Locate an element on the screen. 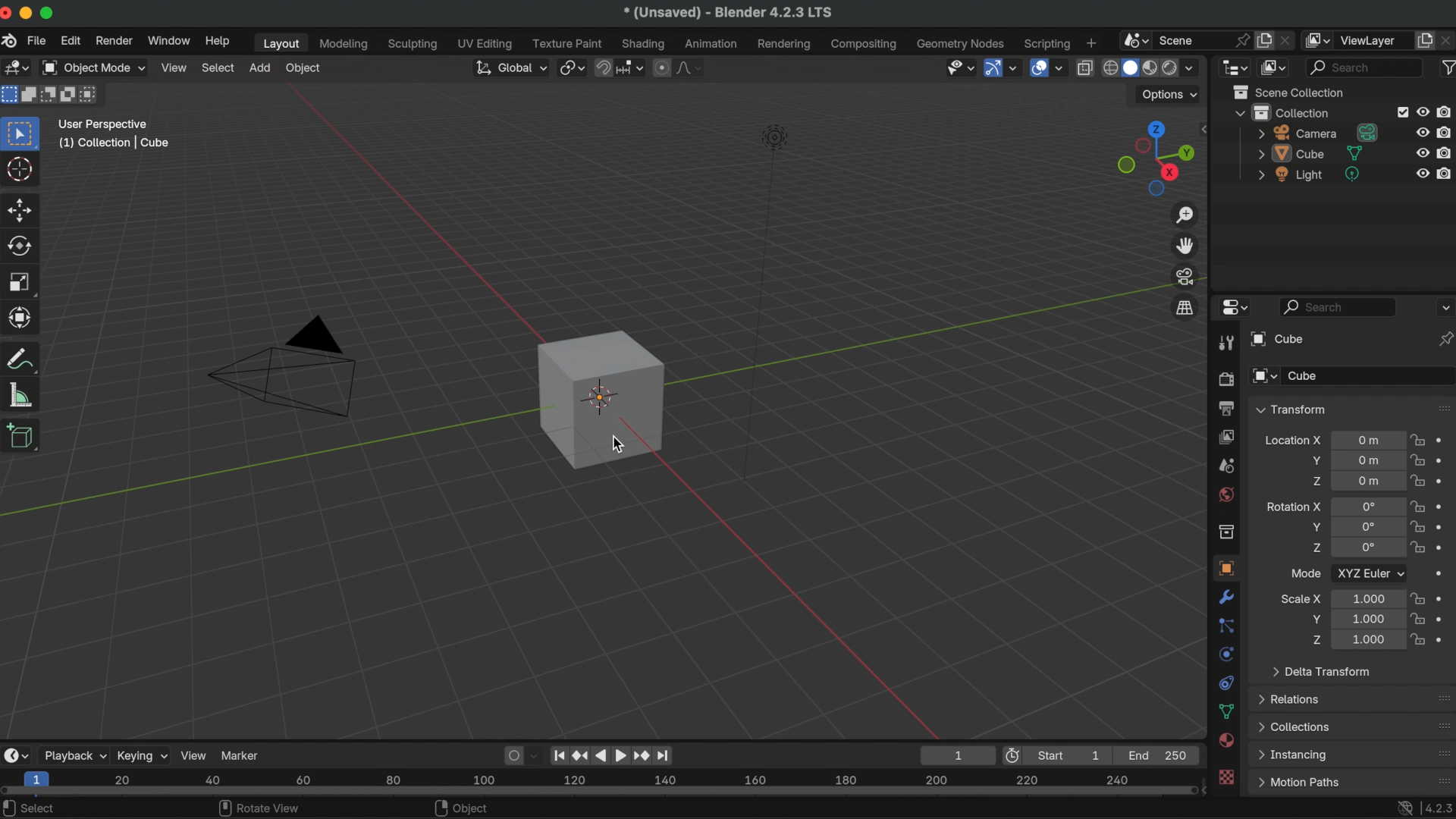 This screenshot has height=819, width=1456. composting is located at coordinates (866, 45).